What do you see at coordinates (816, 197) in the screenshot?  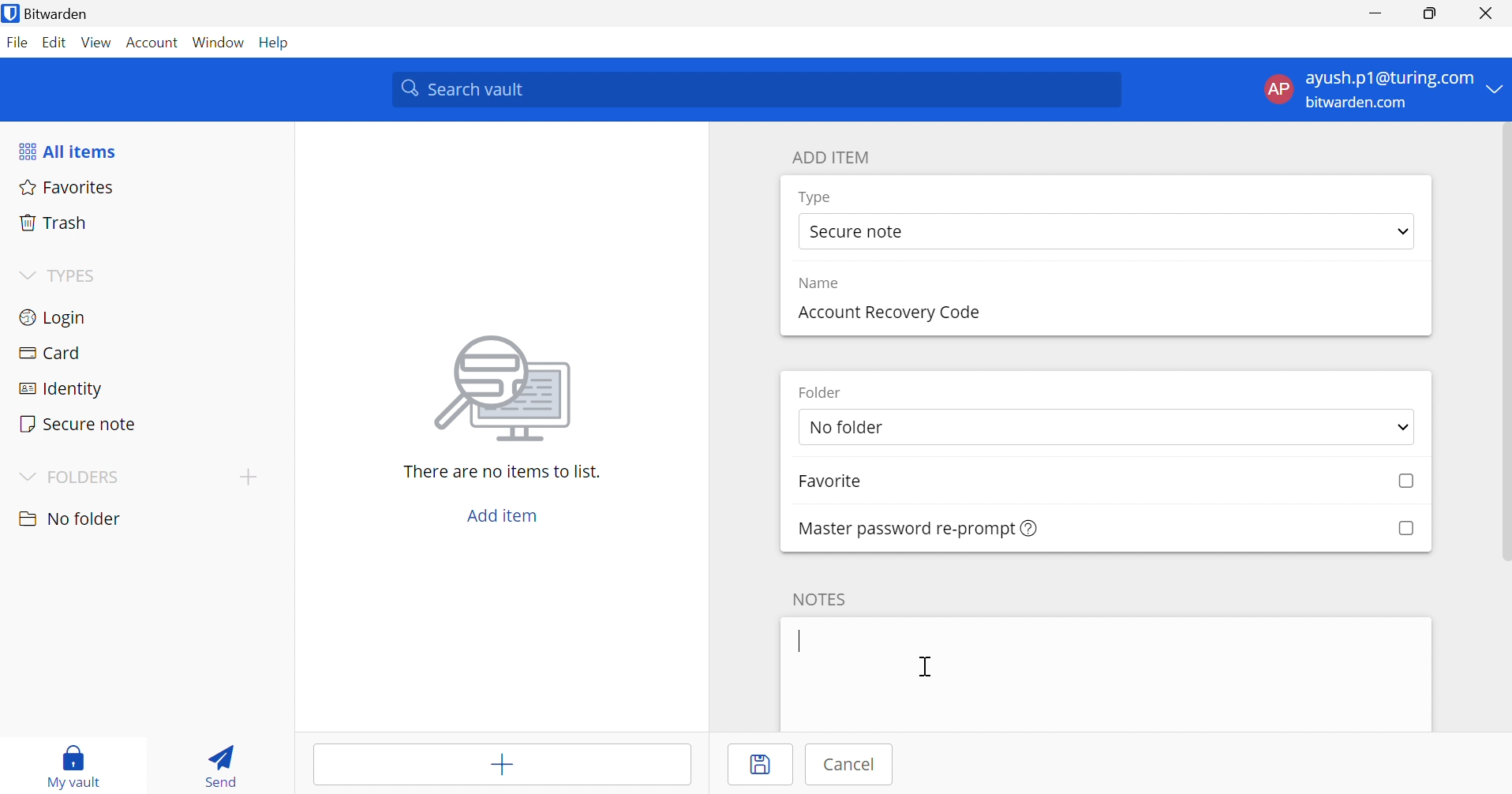 I see `Type` at bounding box center [816, 197].